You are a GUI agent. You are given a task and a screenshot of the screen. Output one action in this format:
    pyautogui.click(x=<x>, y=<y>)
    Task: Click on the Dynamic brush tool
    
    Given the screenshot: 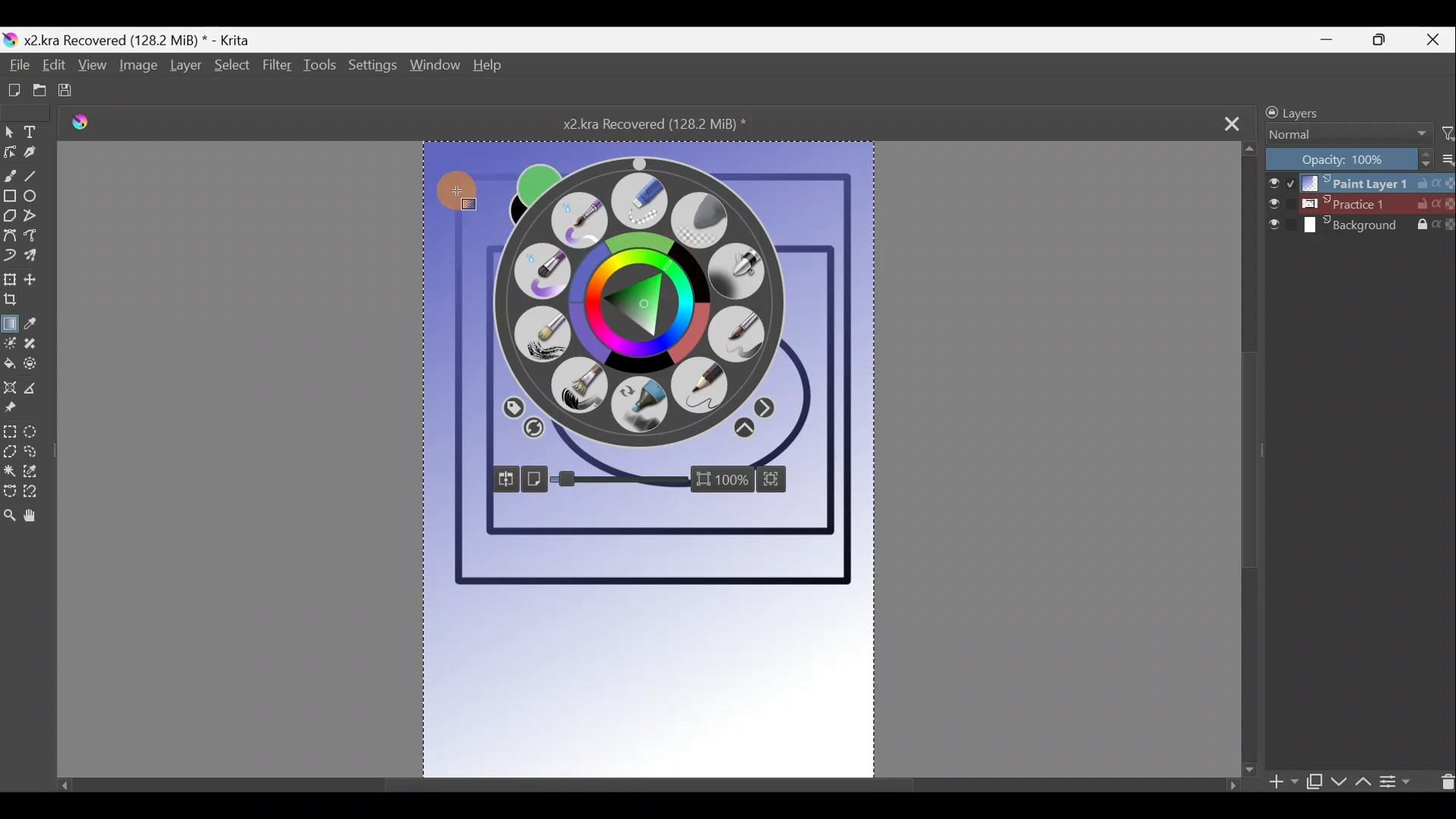 What is the action you would take?
    pyautogui.click(x=11, y=256)
    